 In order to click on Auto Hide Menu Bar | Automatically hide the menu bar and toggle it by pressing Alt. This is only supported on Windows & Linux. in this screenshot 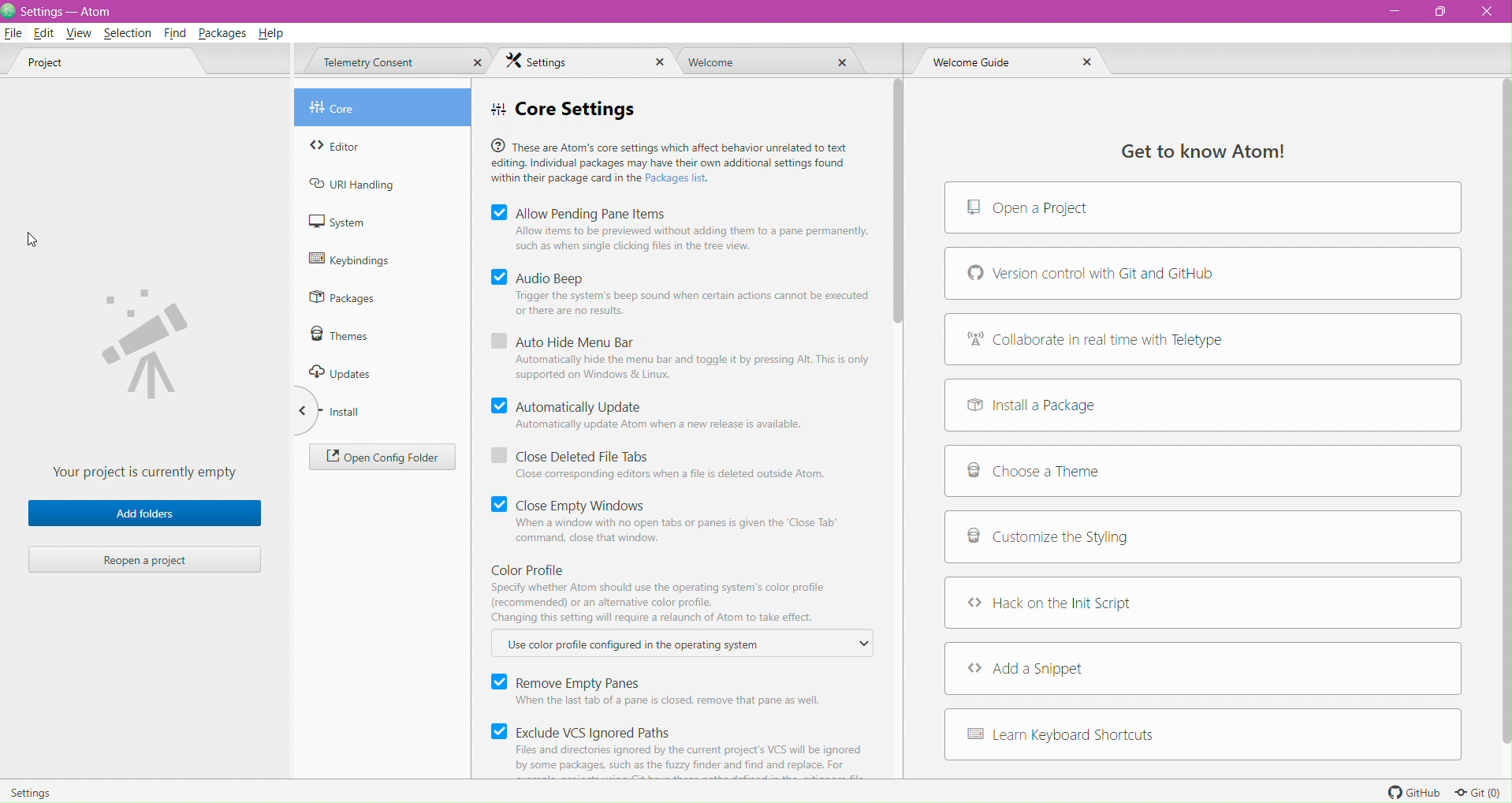, I will do `click(682, 359)`.